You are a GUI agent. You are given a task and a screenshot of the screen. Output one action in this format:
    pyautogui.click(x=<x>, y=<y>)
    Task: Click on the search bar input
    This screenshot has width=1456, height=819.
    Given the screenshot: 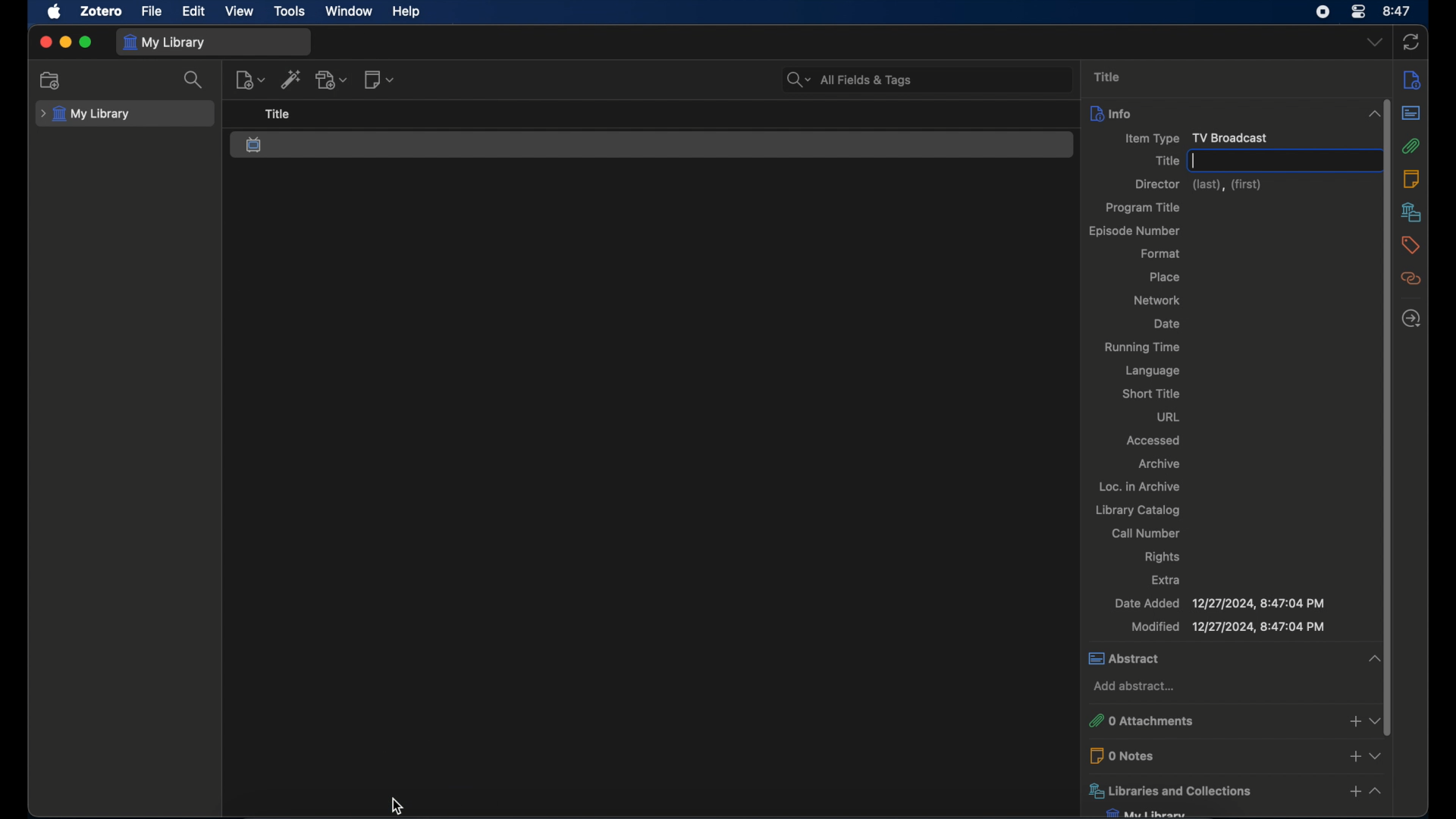 What is the action you would take?
    pyautogui.click(x=946, y=80)
    